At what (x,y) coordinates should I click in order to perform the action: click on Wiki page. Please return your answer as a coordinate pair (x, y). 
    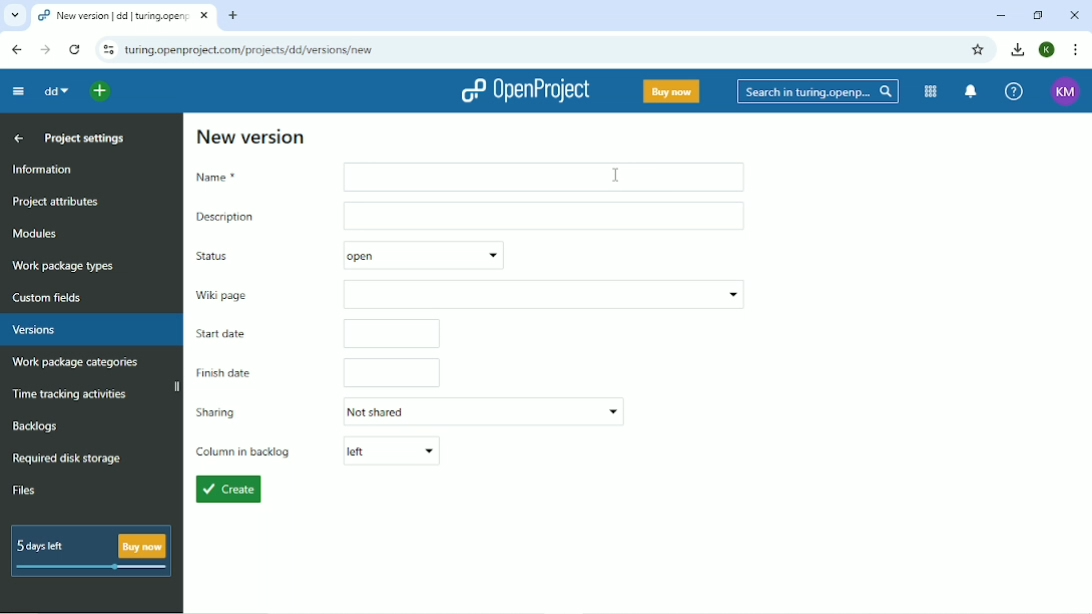
    Looking at the image, I should click on (468, 294).